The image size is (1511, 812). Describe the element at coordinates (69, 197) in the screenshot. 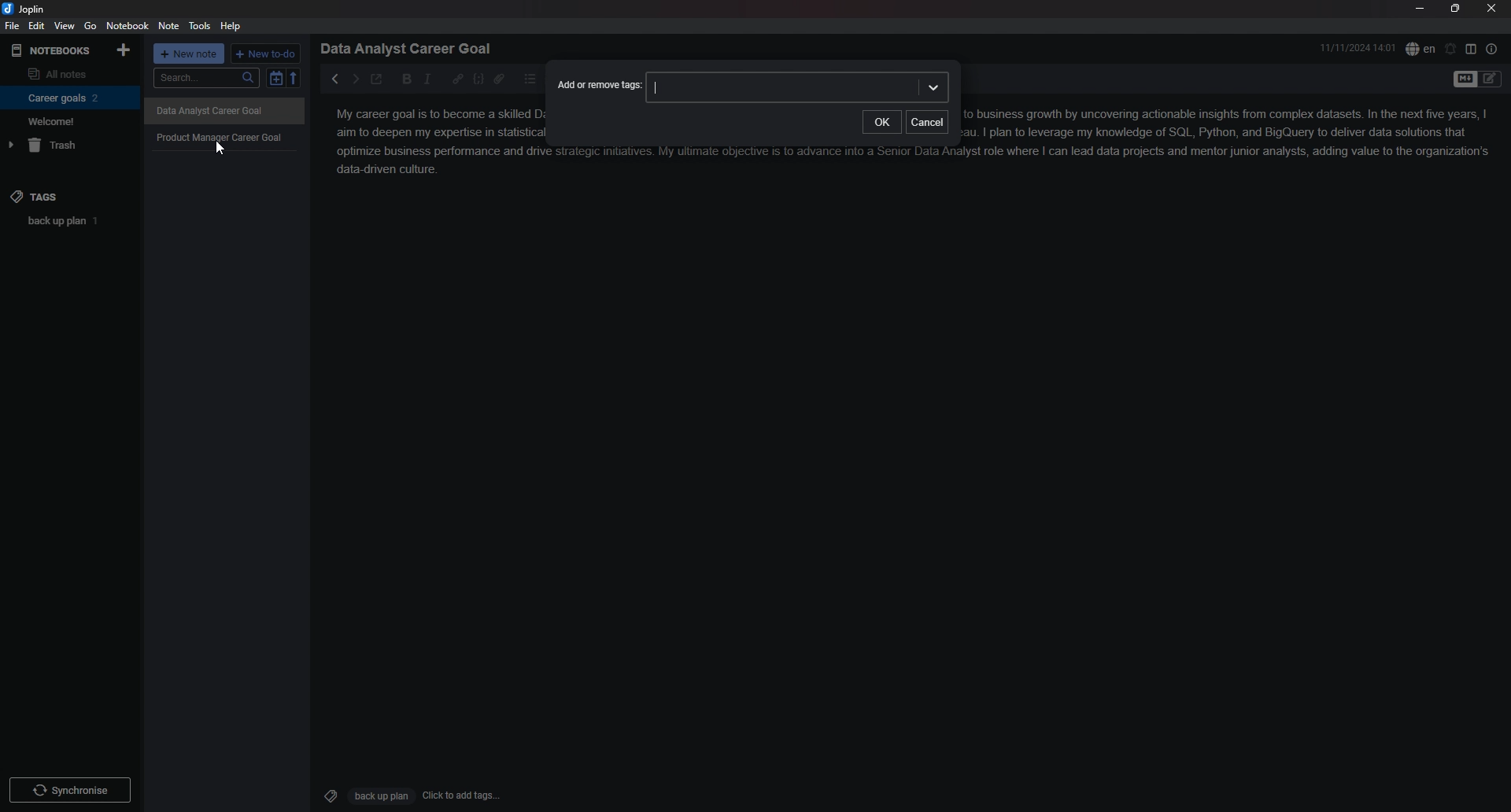

I see `tags` at that location.